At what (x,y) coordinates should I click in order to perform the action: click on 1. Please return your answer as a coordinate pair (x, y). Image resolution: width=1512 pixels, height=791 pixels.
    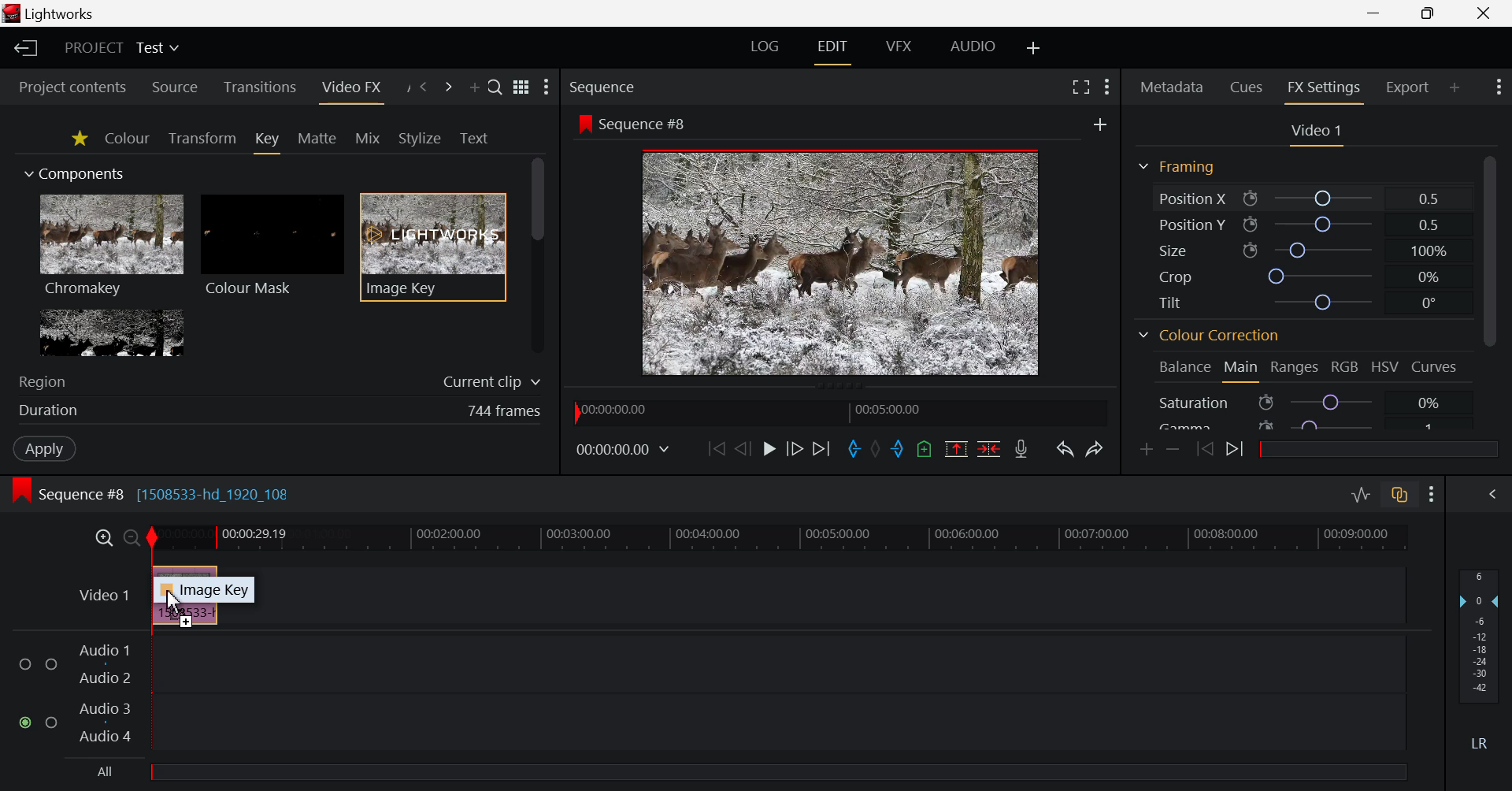
    Looking at the image, I should click on (1429, 429).